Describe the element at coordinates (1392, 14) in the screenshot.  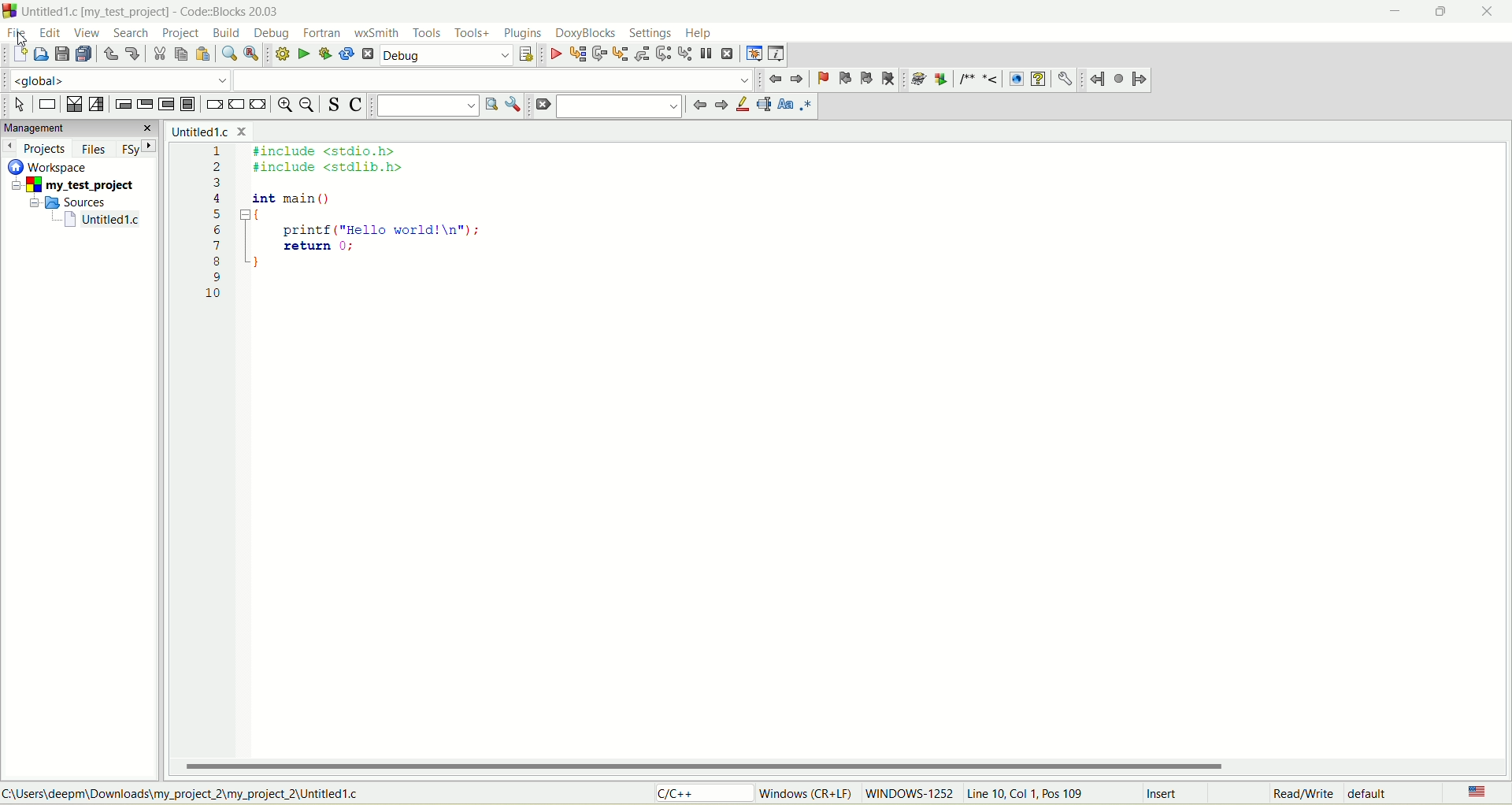
I see `minimize` at that location.